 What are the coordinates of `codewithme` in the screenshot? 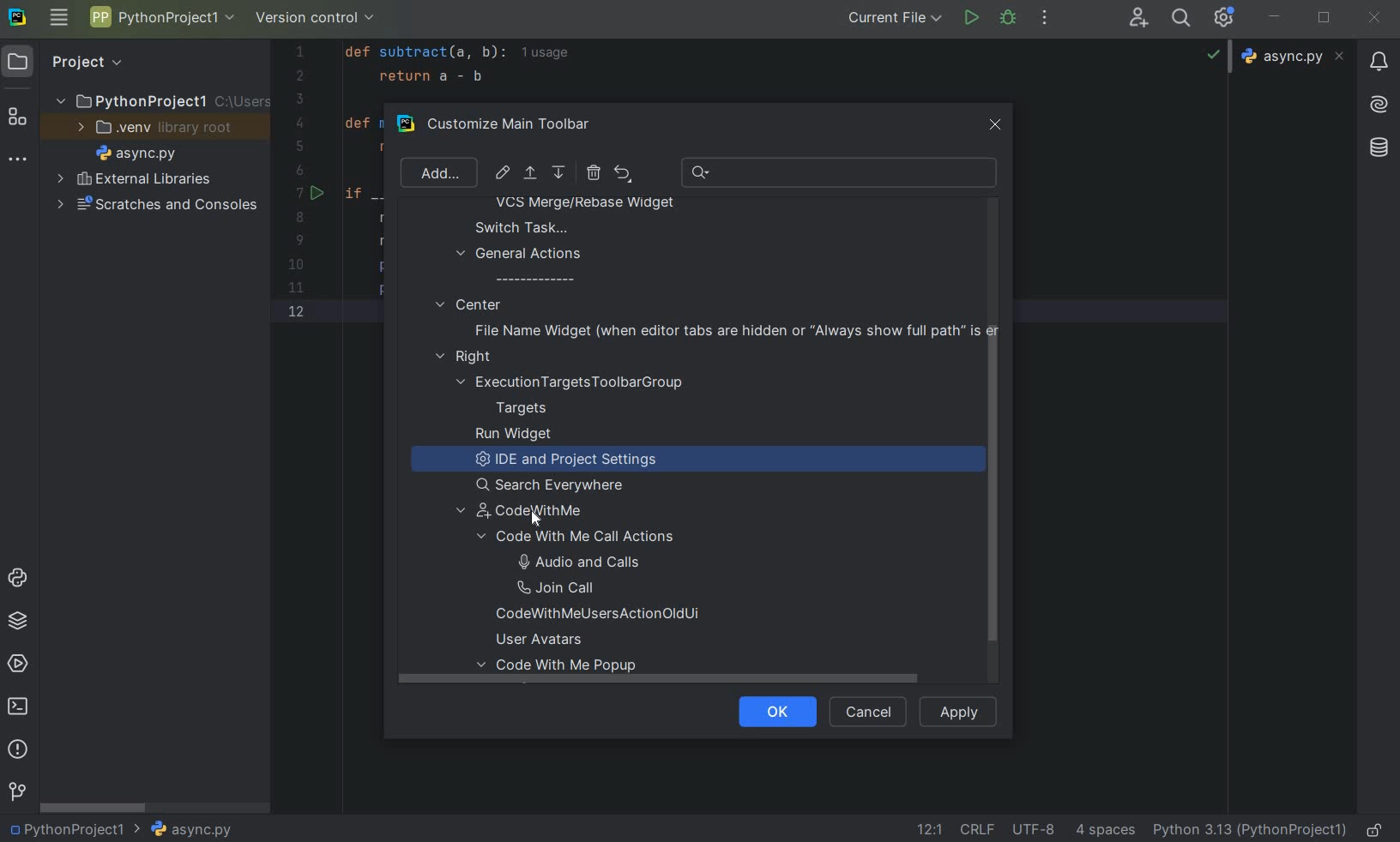 It's located at (532, 514).